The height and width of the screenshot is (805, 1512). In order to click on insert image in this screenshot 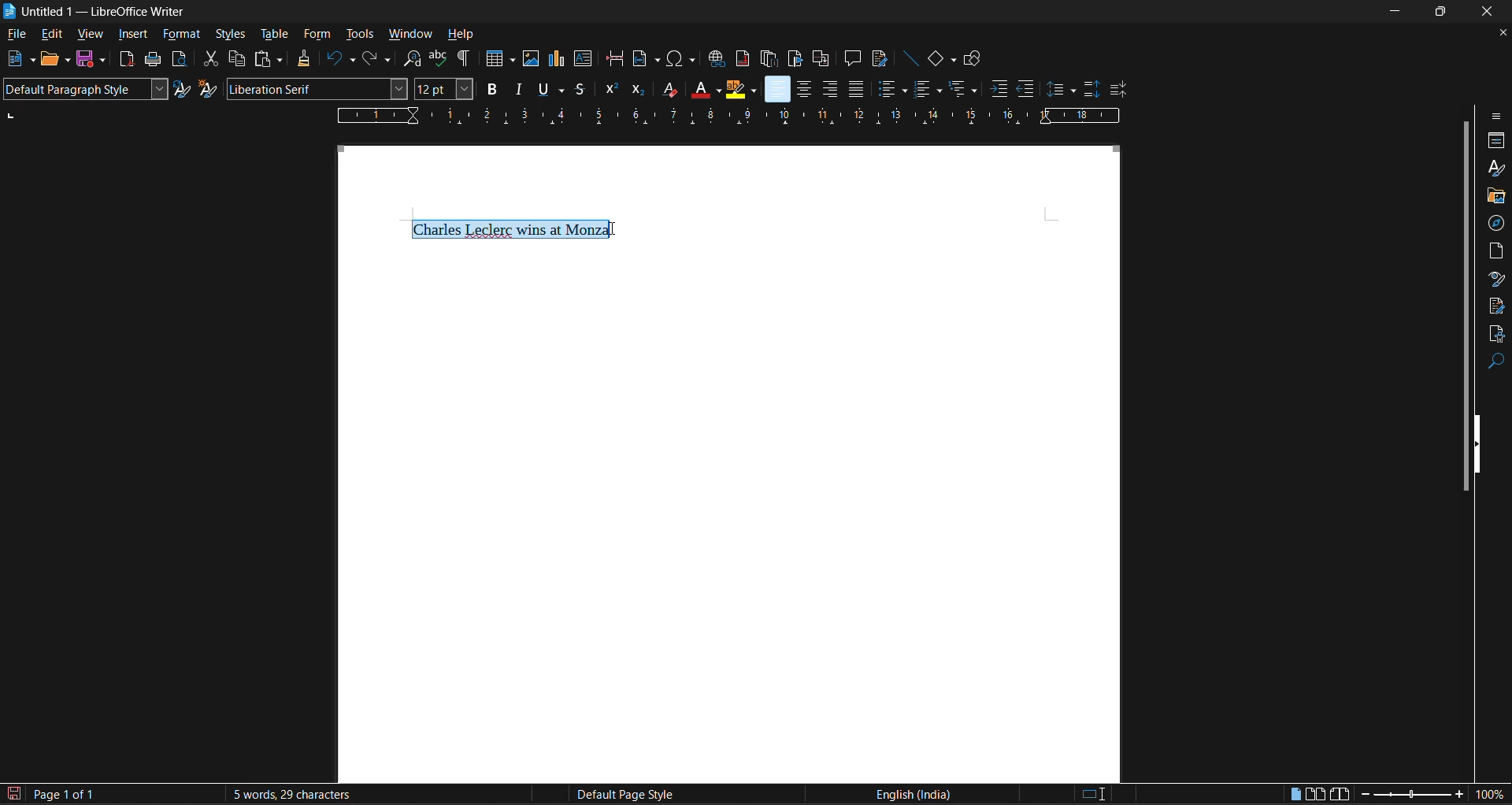, I will do `click(527, 59)`.